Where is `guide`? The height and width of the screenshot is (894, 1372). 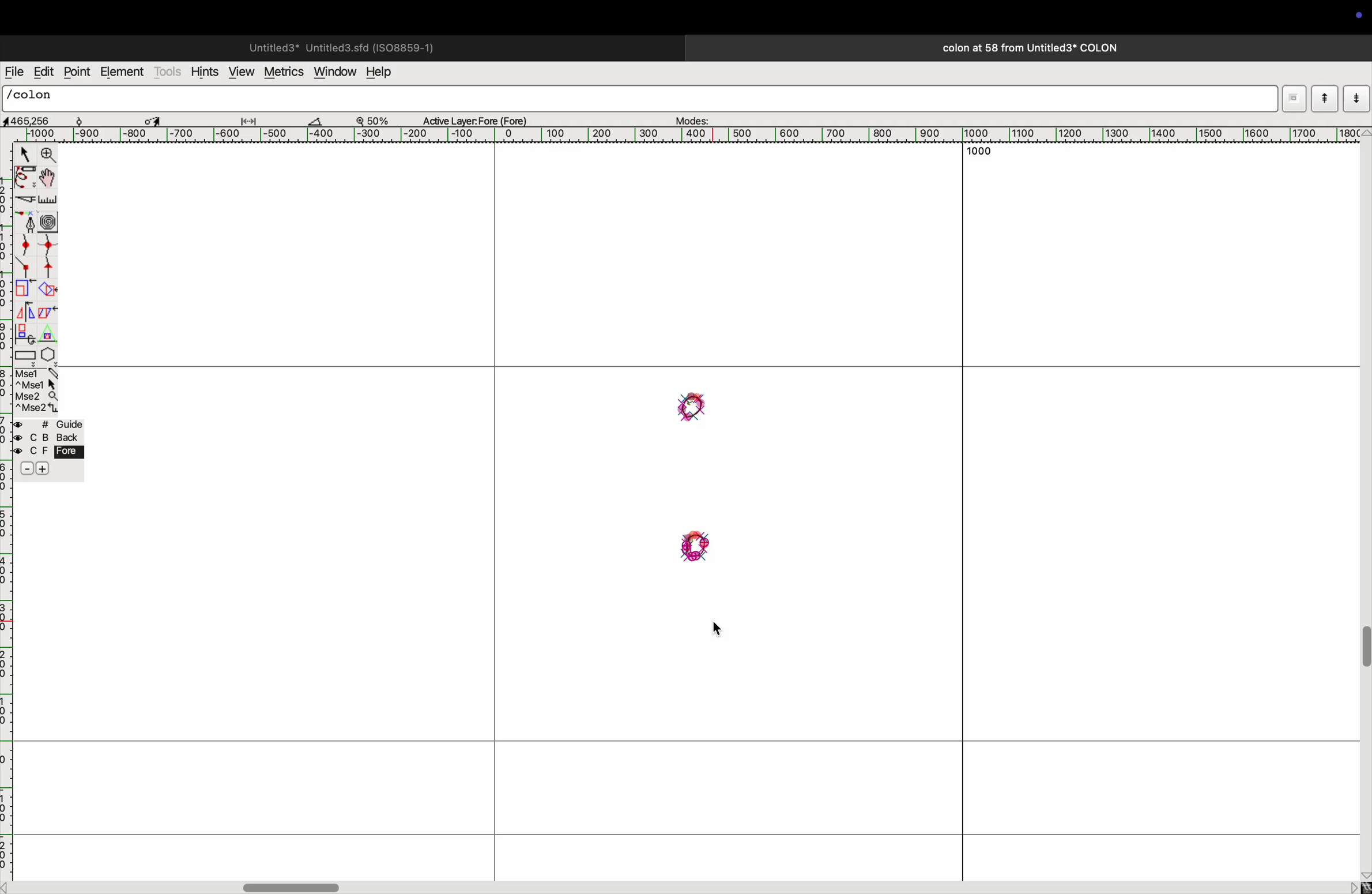 guide is located at coordinates (52, 449).